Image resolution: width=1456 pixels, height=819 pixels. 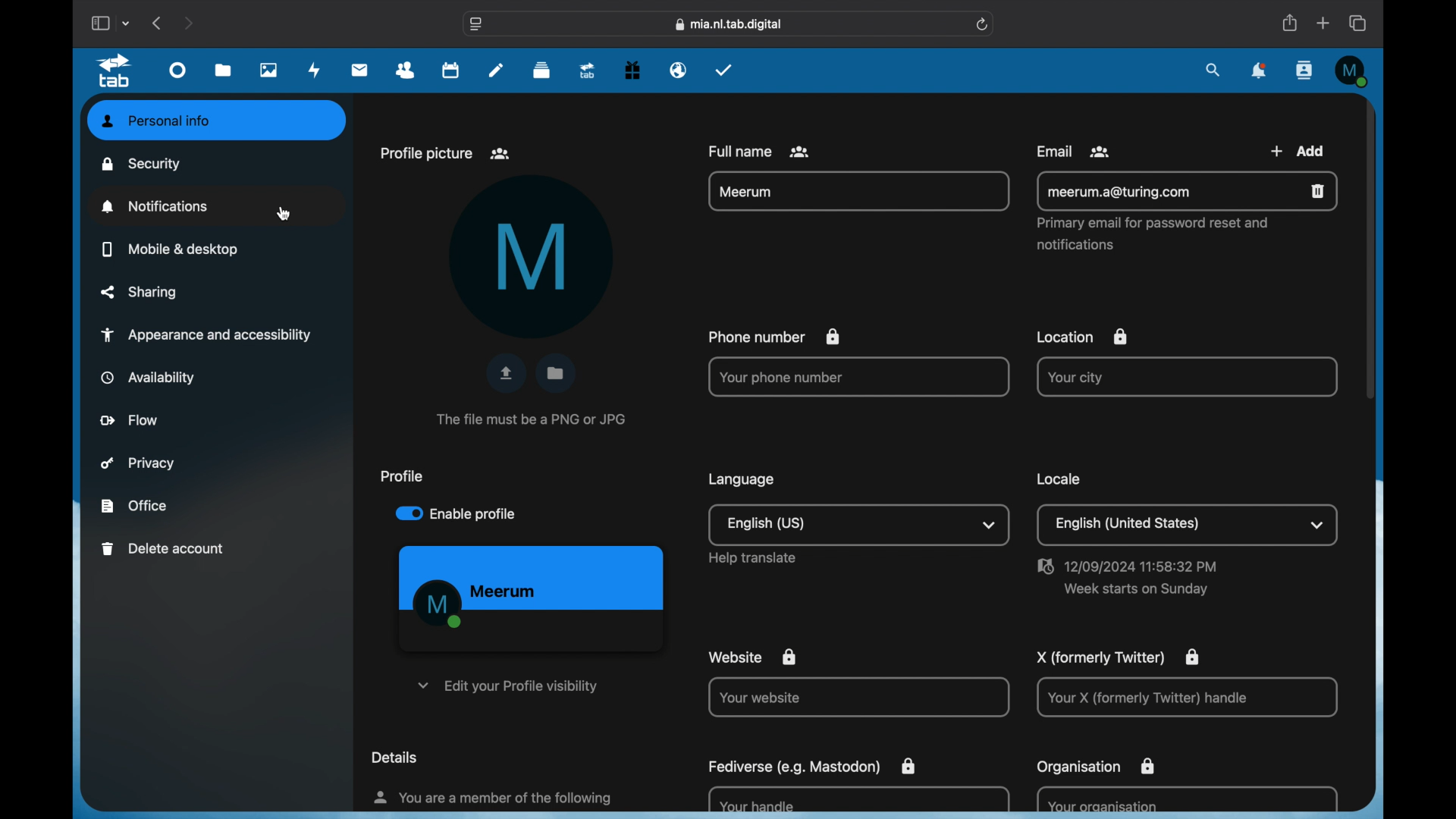 What do you see at coordinates (1118, 656) in the screenshot?
I see `X` at bounding box center [1118, 656].